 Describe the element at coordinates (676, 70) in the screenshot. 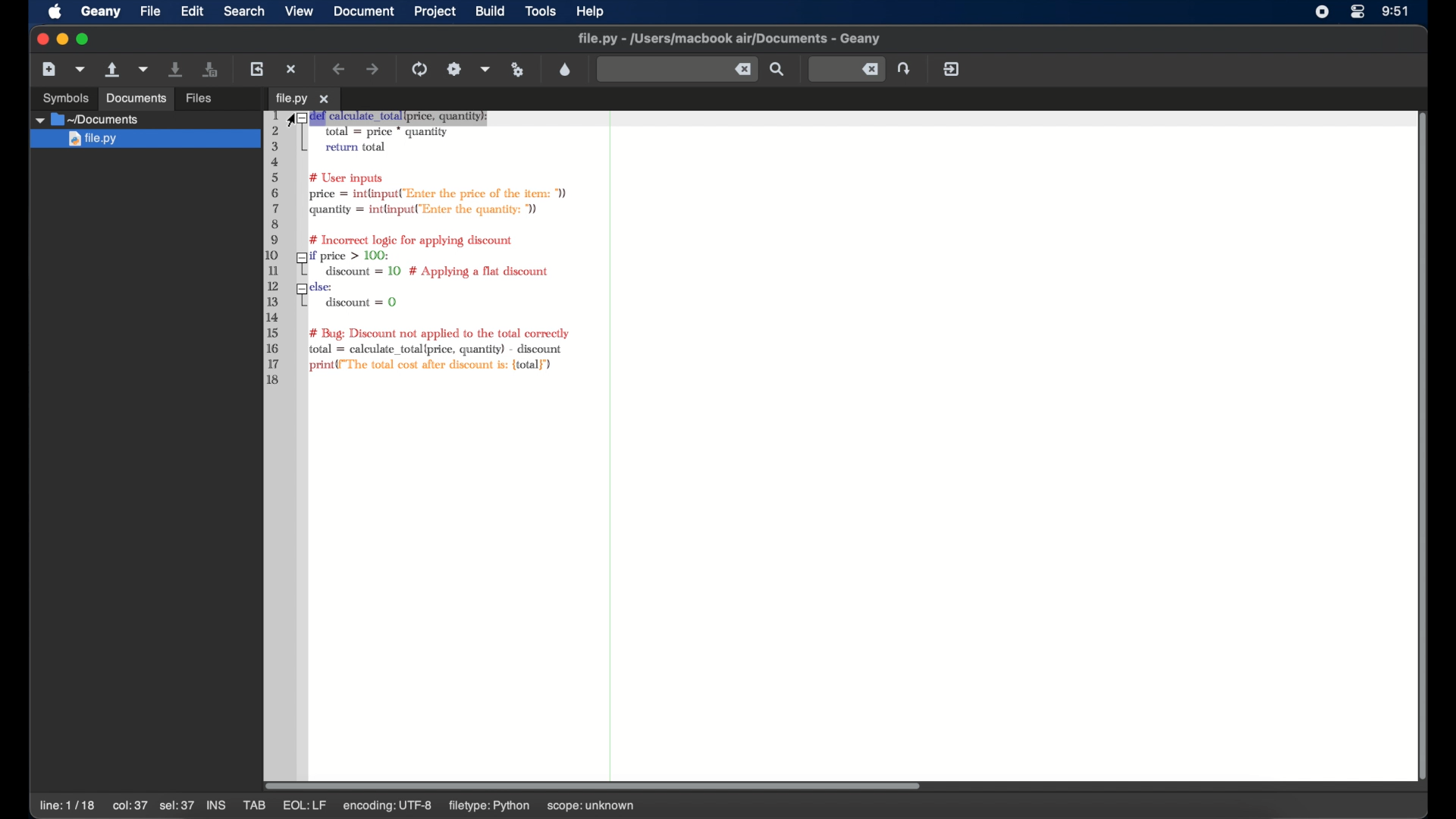

I see `find the entered text in current file` at that location.